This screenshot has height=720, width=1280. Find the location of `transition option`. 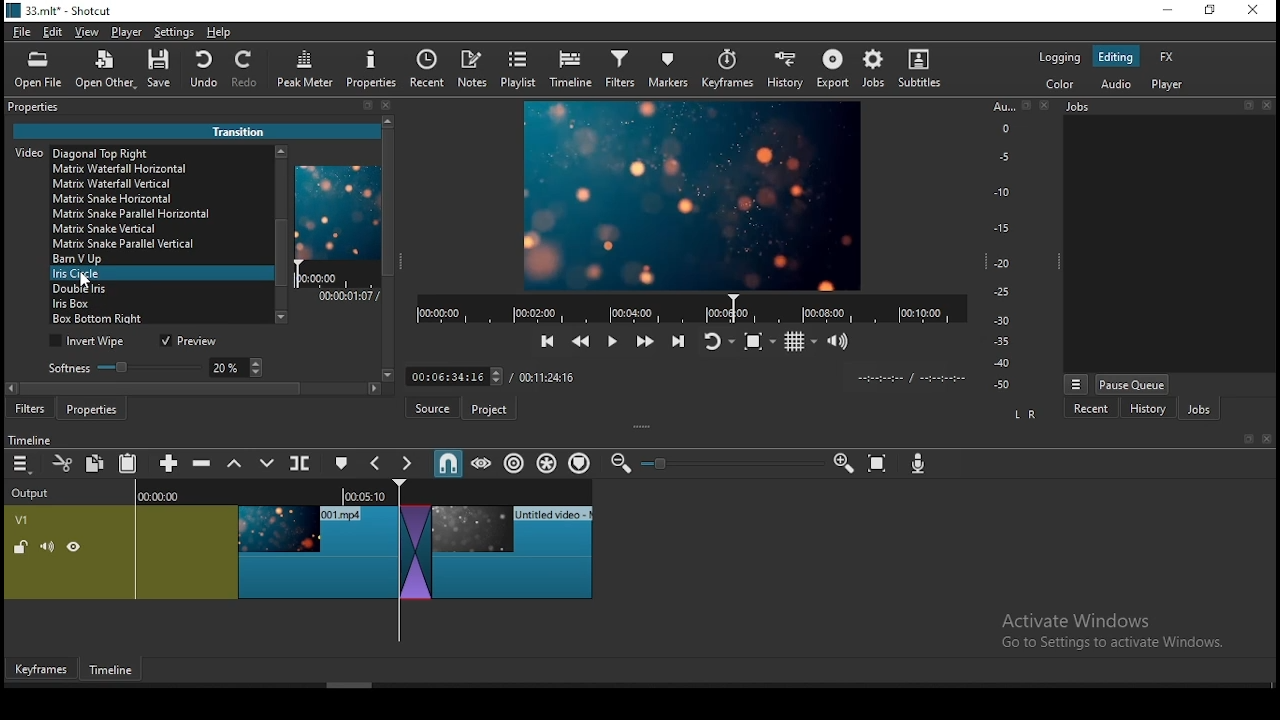

transition option is located at coordinates (159, 306).